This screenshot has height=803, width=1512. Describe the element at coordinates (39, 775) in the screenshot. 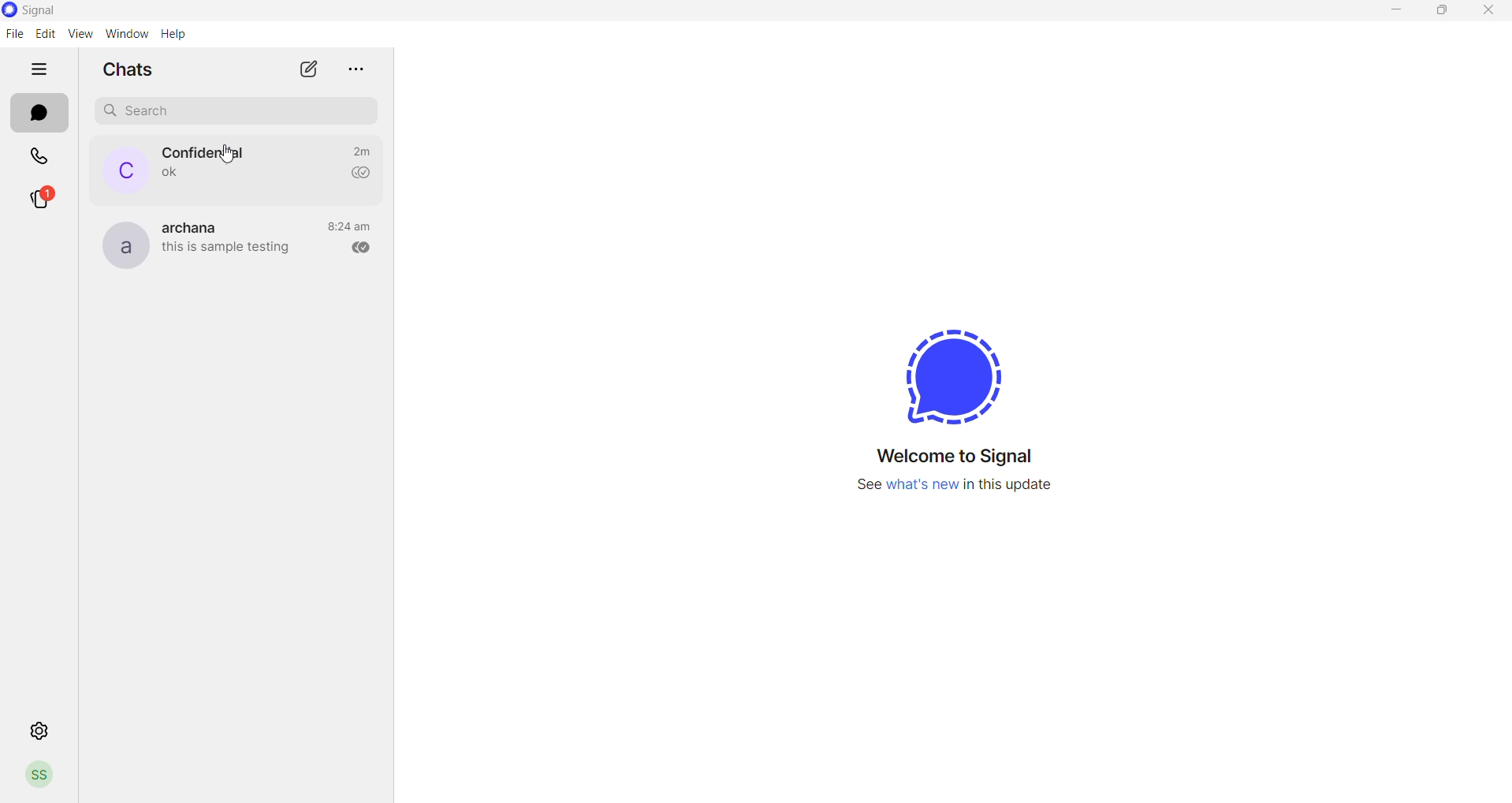

I see `profile` at that location.